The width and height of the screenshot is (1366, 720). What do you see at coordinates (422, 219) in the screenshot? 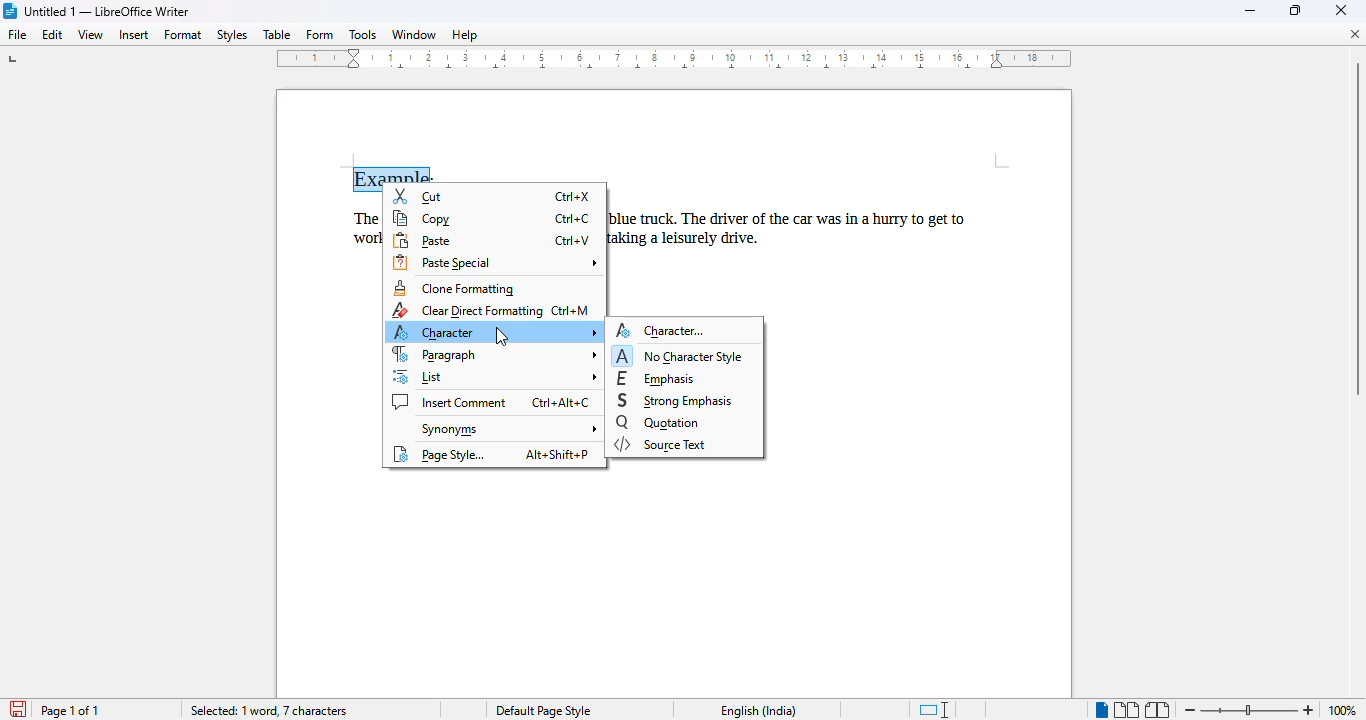
I see `copy` at bounding box center [422, 219].